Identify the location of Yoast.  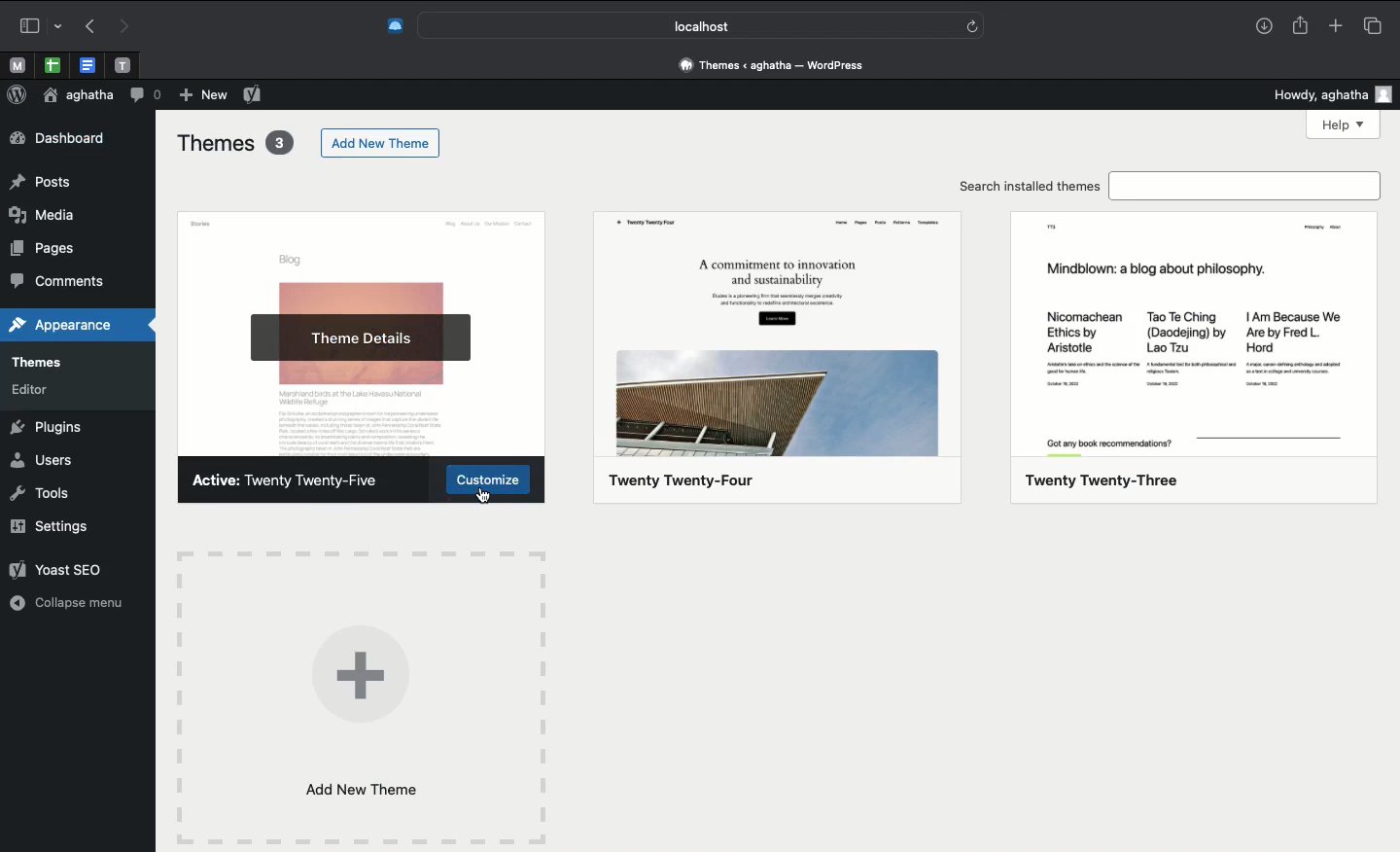
(252, 94).